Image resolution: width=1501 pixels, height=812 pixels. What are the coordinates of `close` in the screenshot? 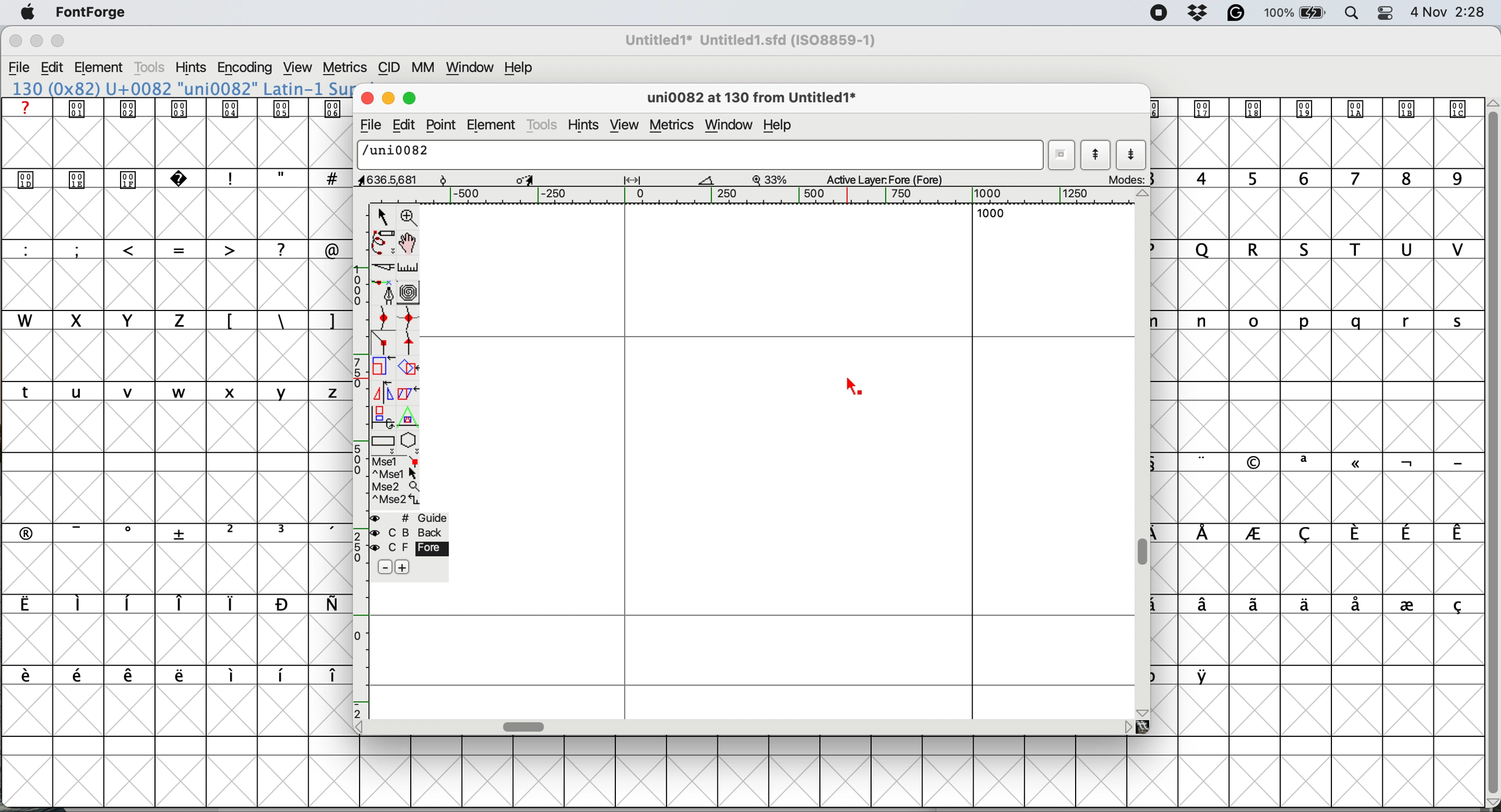 It's located at (365, 96).